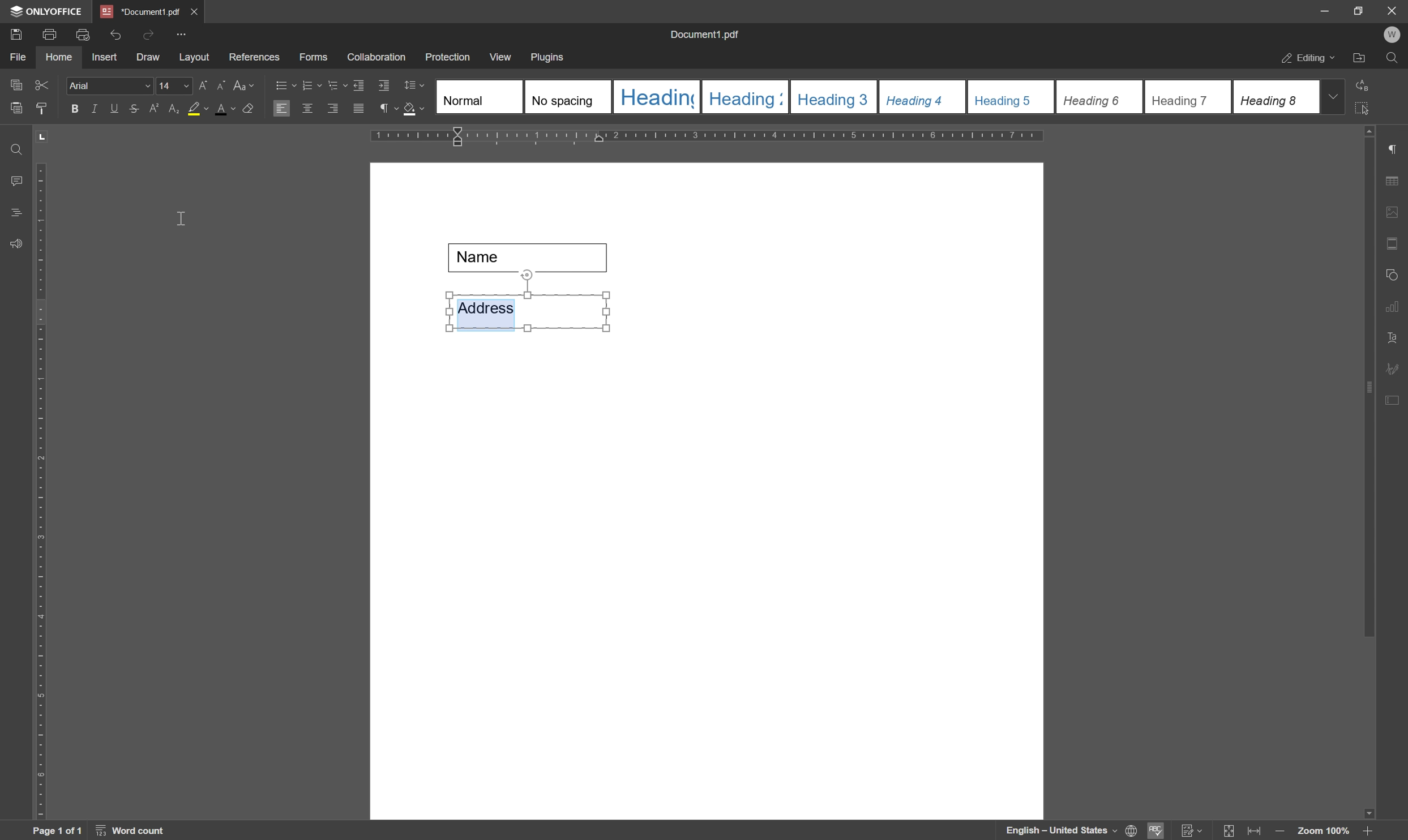 The width and height of the screenshot is (1408, 840). Describe the element at coordinates (1334, 96) in the screenshot. I see `drop down` at that location.